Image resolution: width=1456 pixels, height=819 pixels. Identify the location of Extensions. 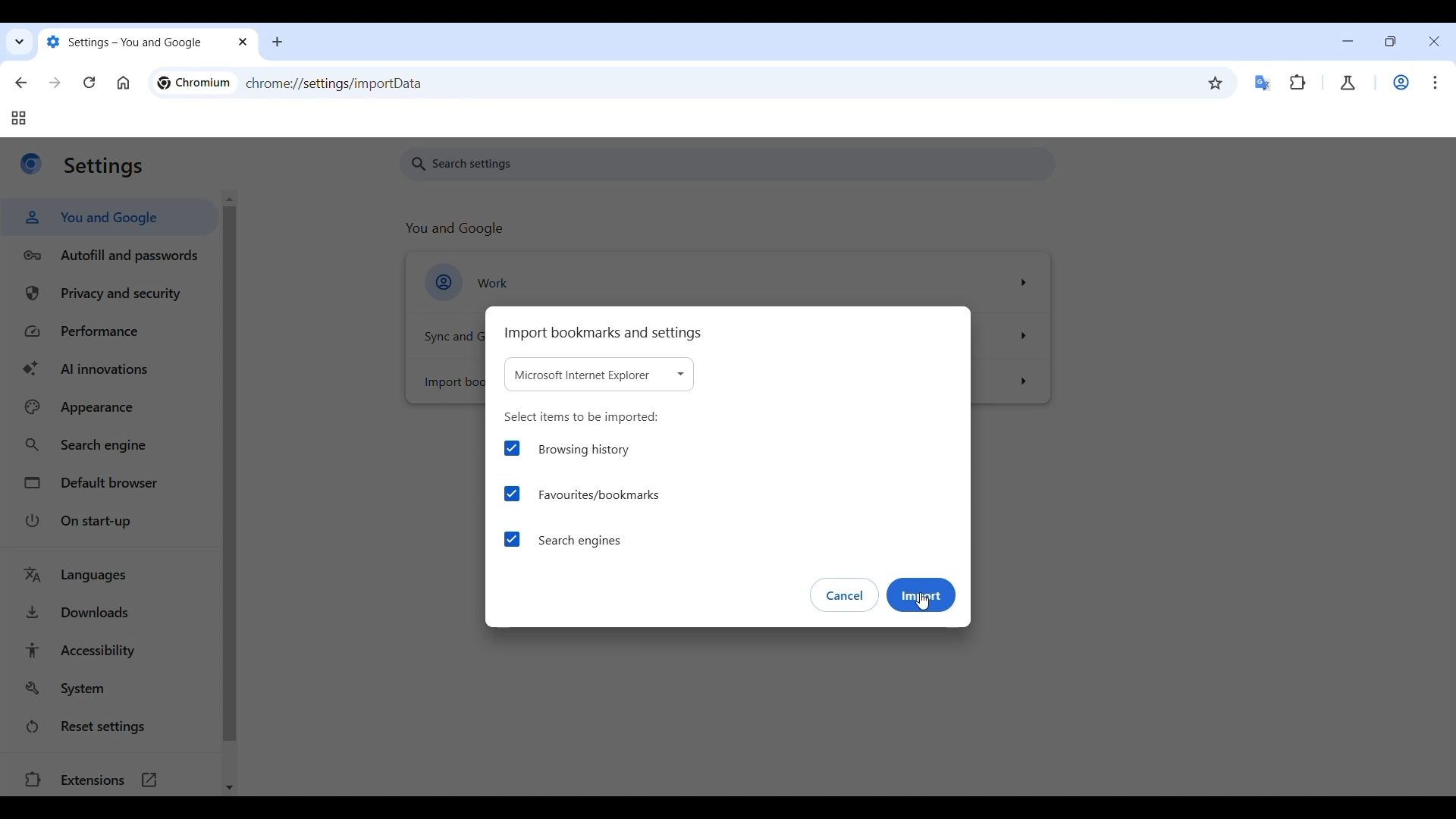
(1298, 83).